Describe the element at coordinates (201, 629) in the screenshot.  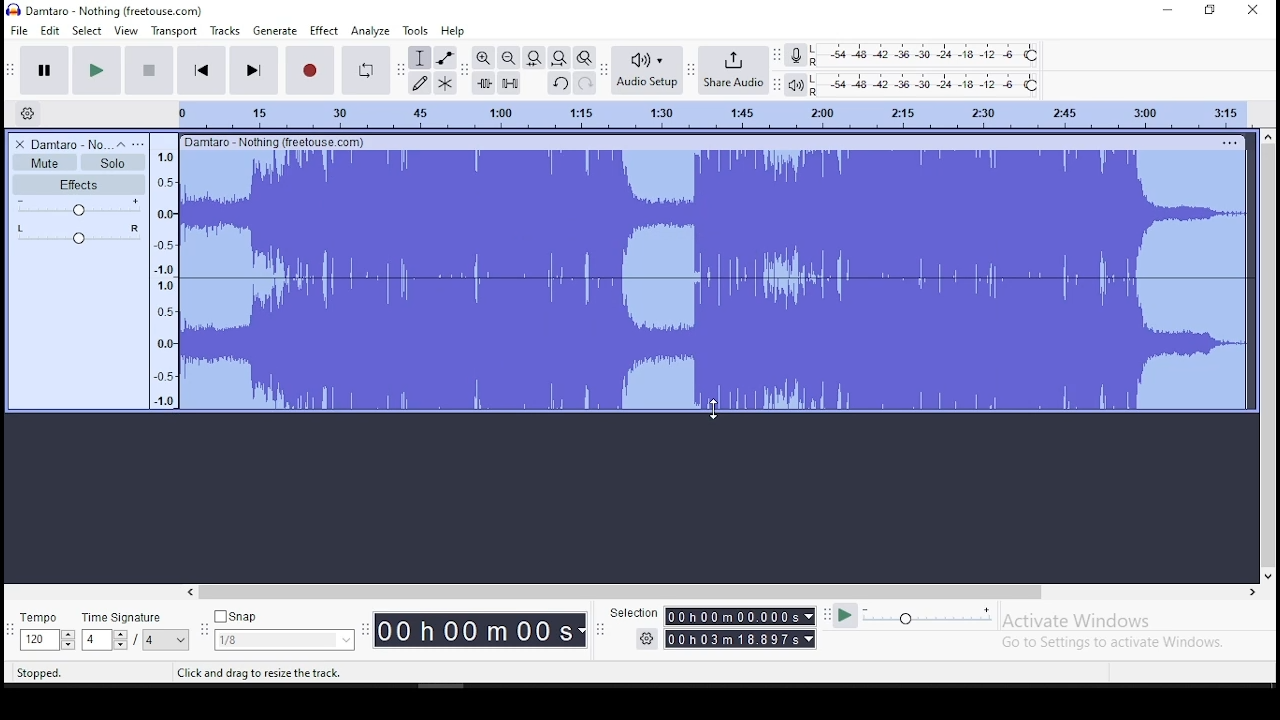
I see `` at that location.